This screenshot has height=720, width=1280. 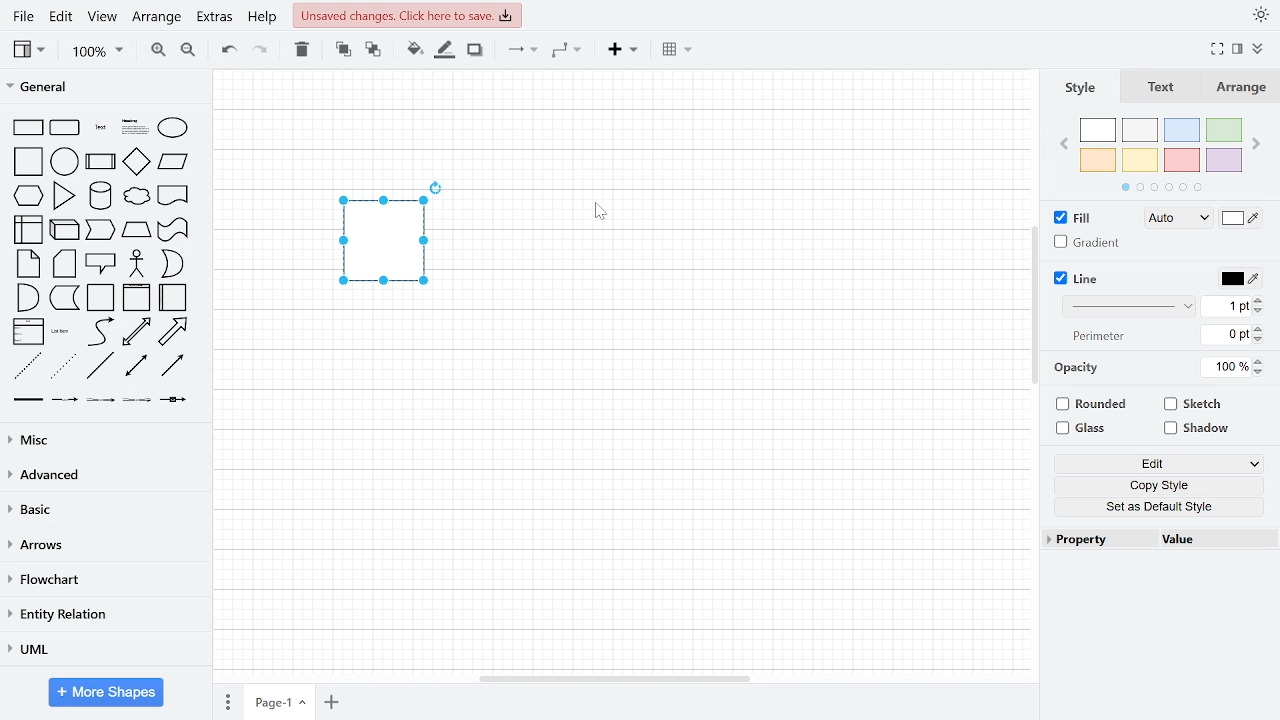 What do you see at coordinates (65, 194) in the screenshot?
I see `triangle` at bounding box center [65, 194].